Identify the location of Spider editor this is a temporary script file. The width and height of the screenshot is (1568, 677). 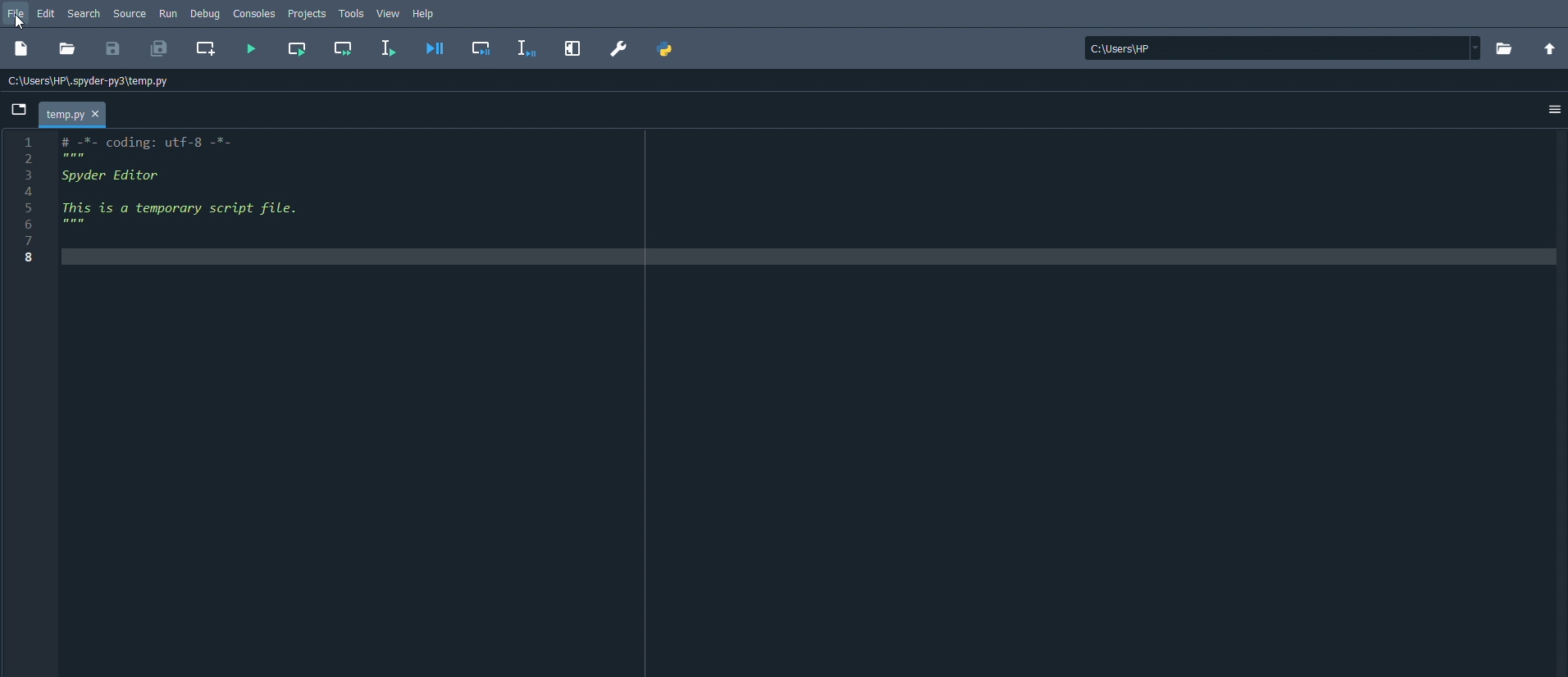
(200, 184).